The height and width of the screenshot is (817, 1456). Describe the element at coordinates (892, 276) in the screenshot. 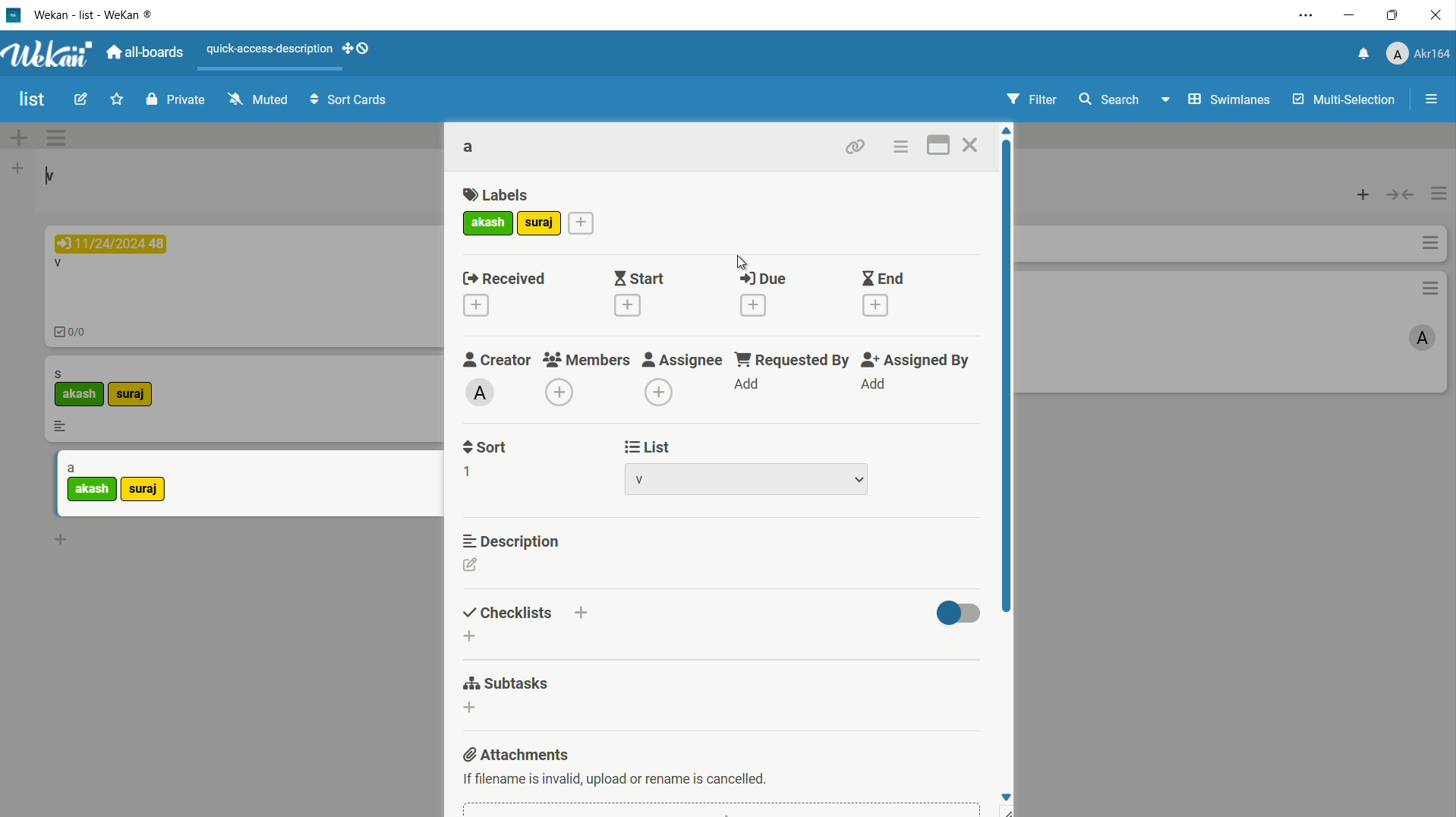

I see `End` at that location.